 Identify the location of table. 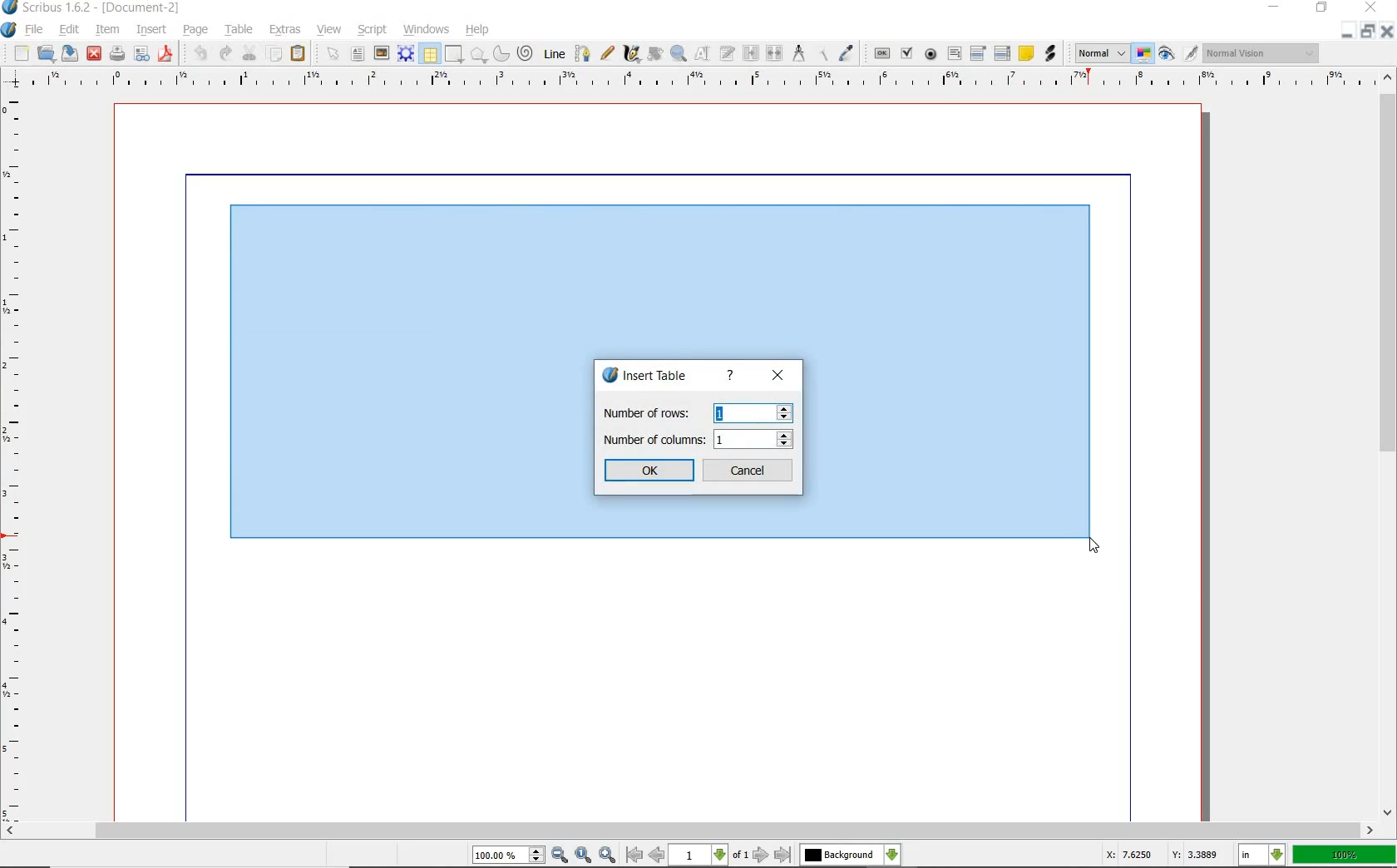
(241, 31).